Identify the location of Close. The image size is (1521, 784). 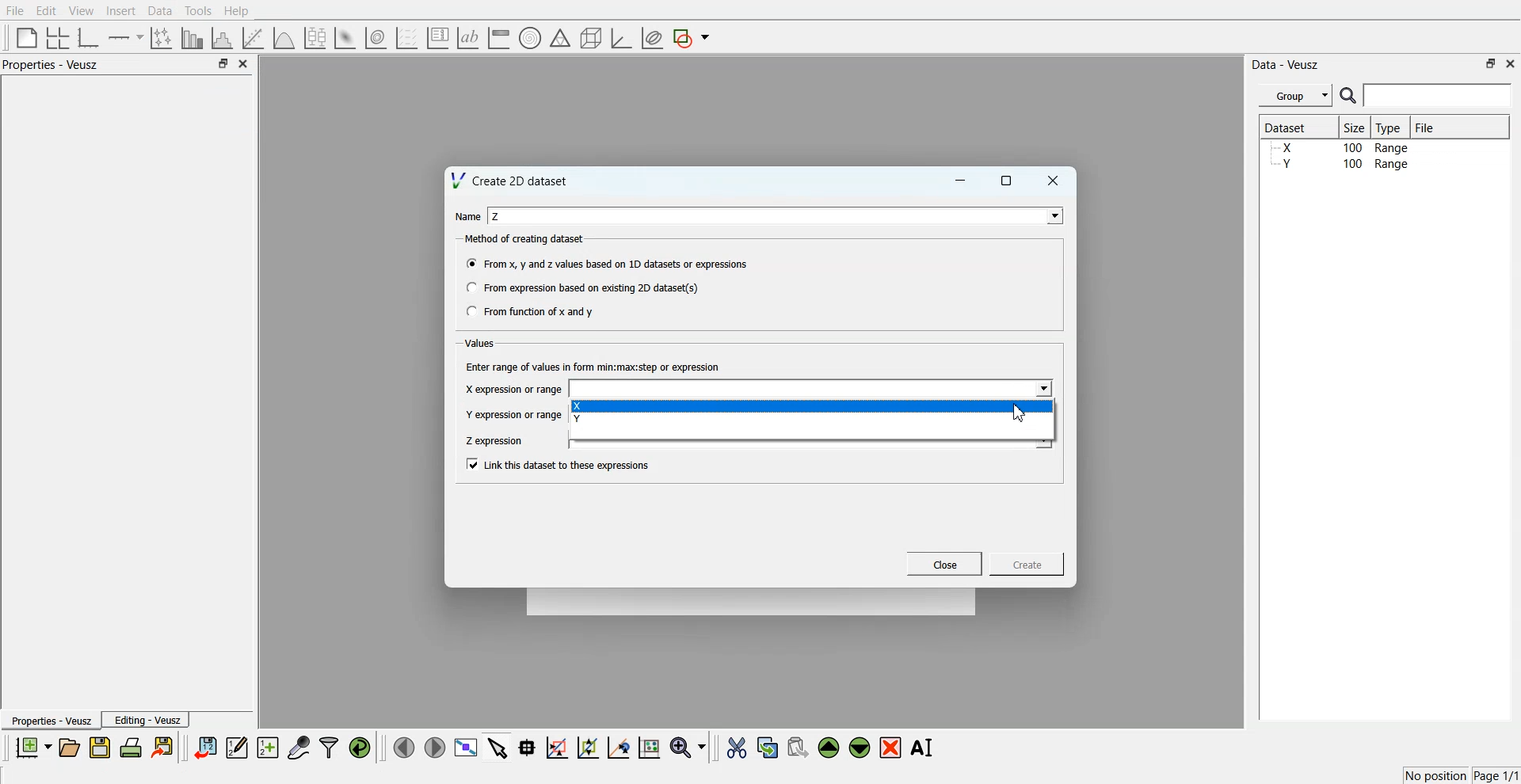
(1511, 63).